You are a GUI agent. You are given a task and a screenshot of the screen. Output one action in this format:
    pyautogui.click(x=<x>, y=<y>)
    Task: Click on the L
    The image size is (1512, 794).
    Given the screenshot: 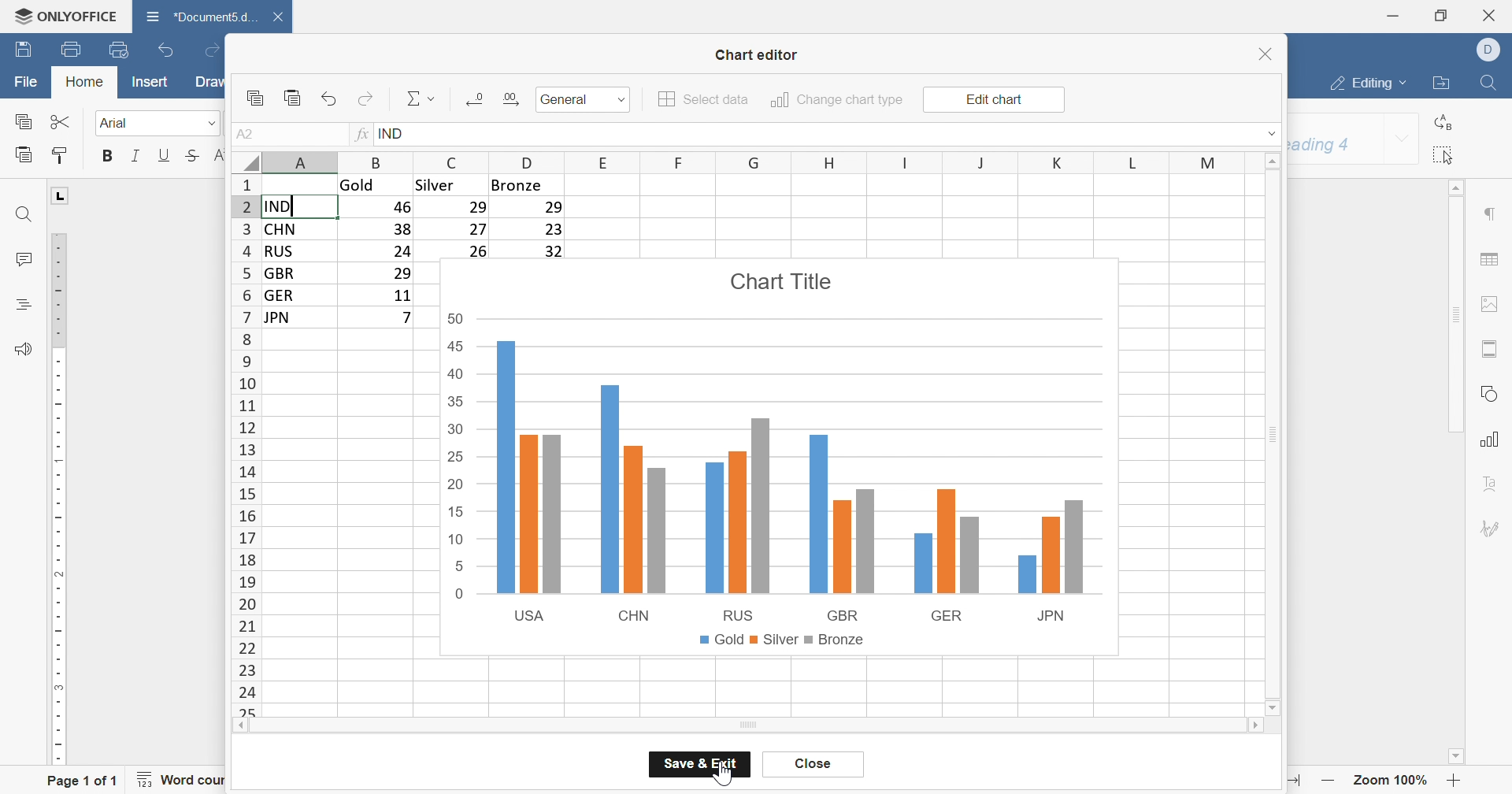 What is the action you would take?
    pyautogui.click(x=61, y=194)
    